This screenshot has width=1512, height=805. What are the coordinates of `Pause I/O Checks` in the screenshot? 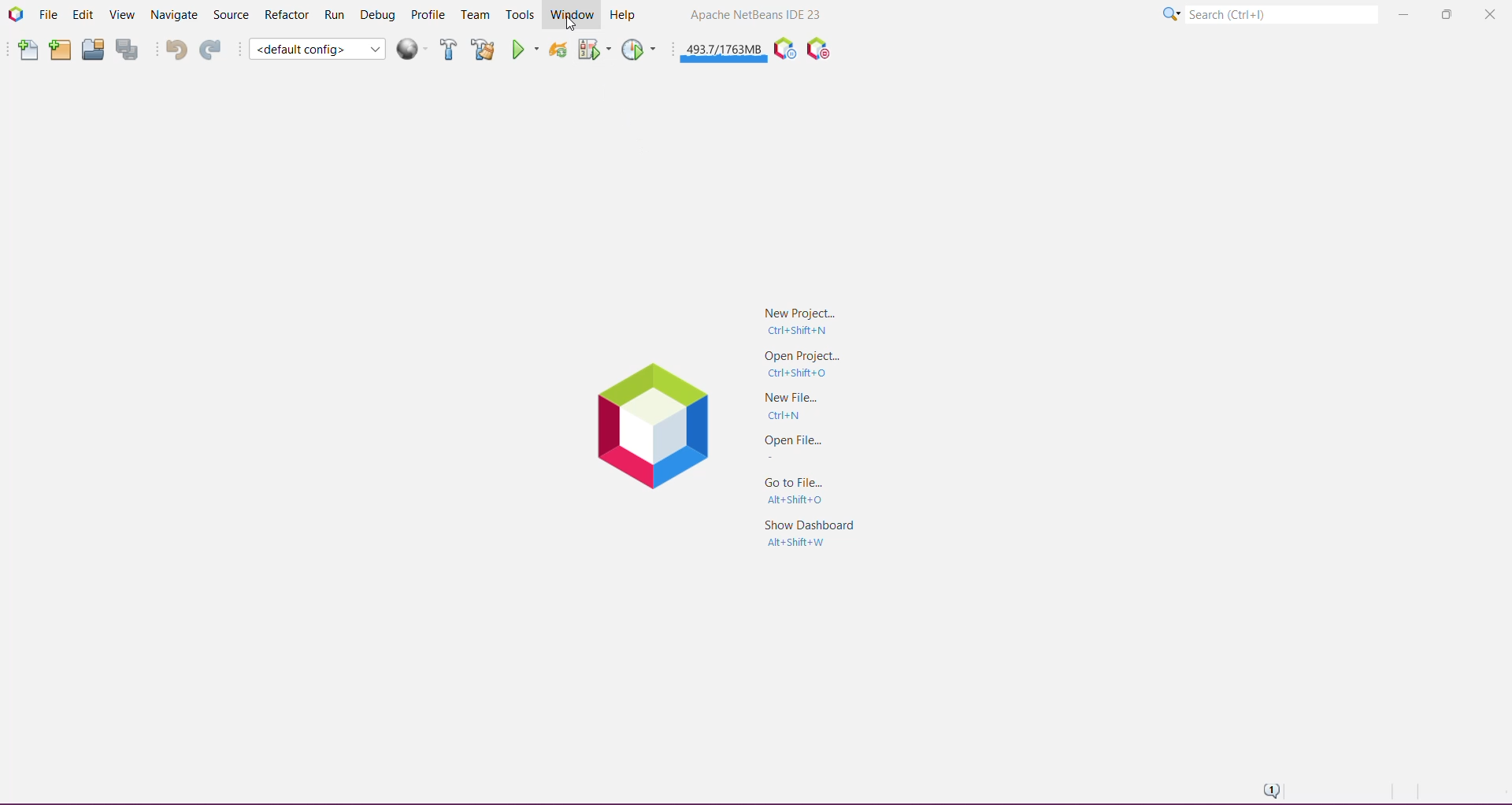 It's located at (817, 49).